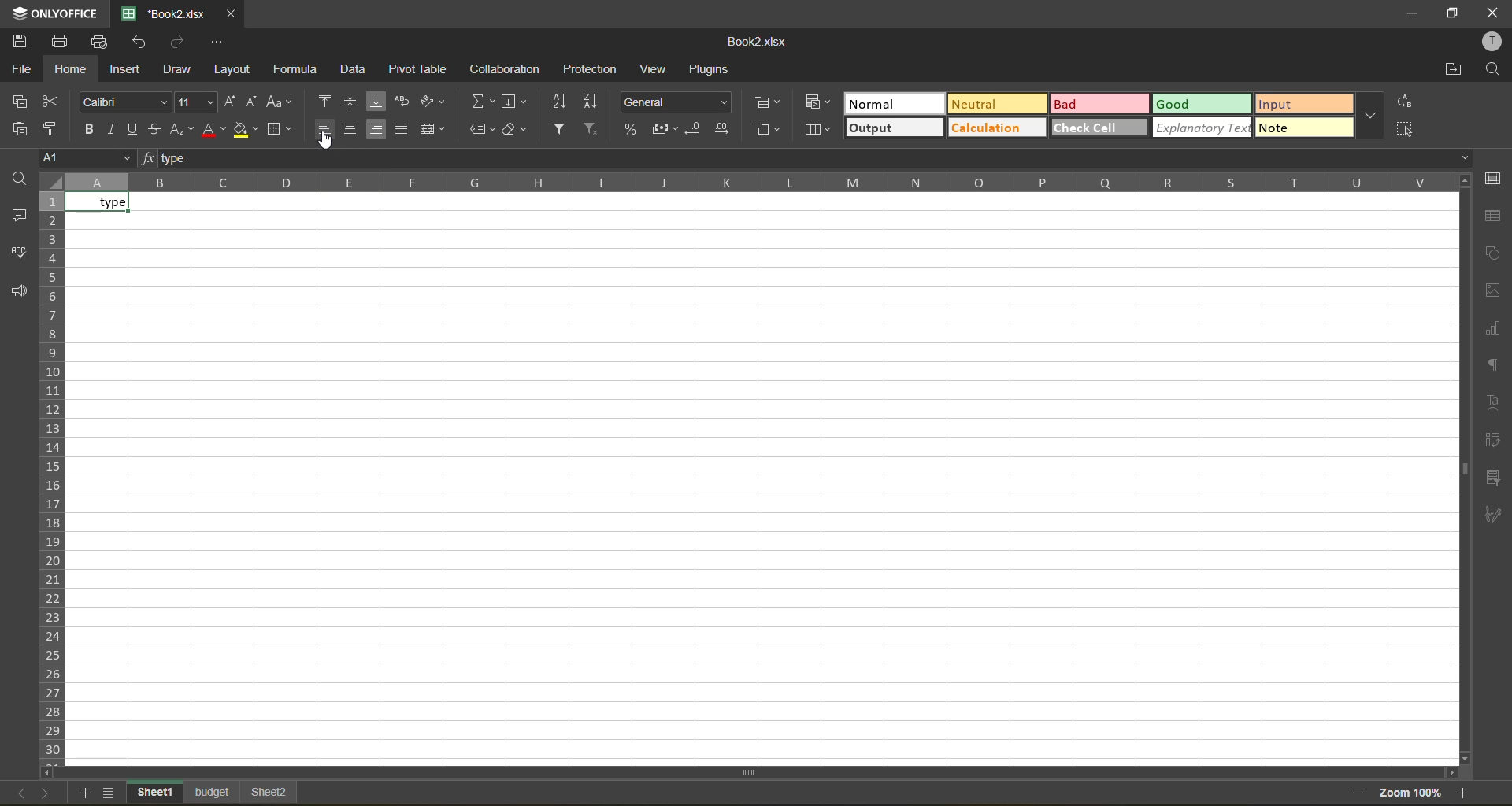  Describe the element at coordinates (1096, 102) in the screenshot. I see `bad` at that location.